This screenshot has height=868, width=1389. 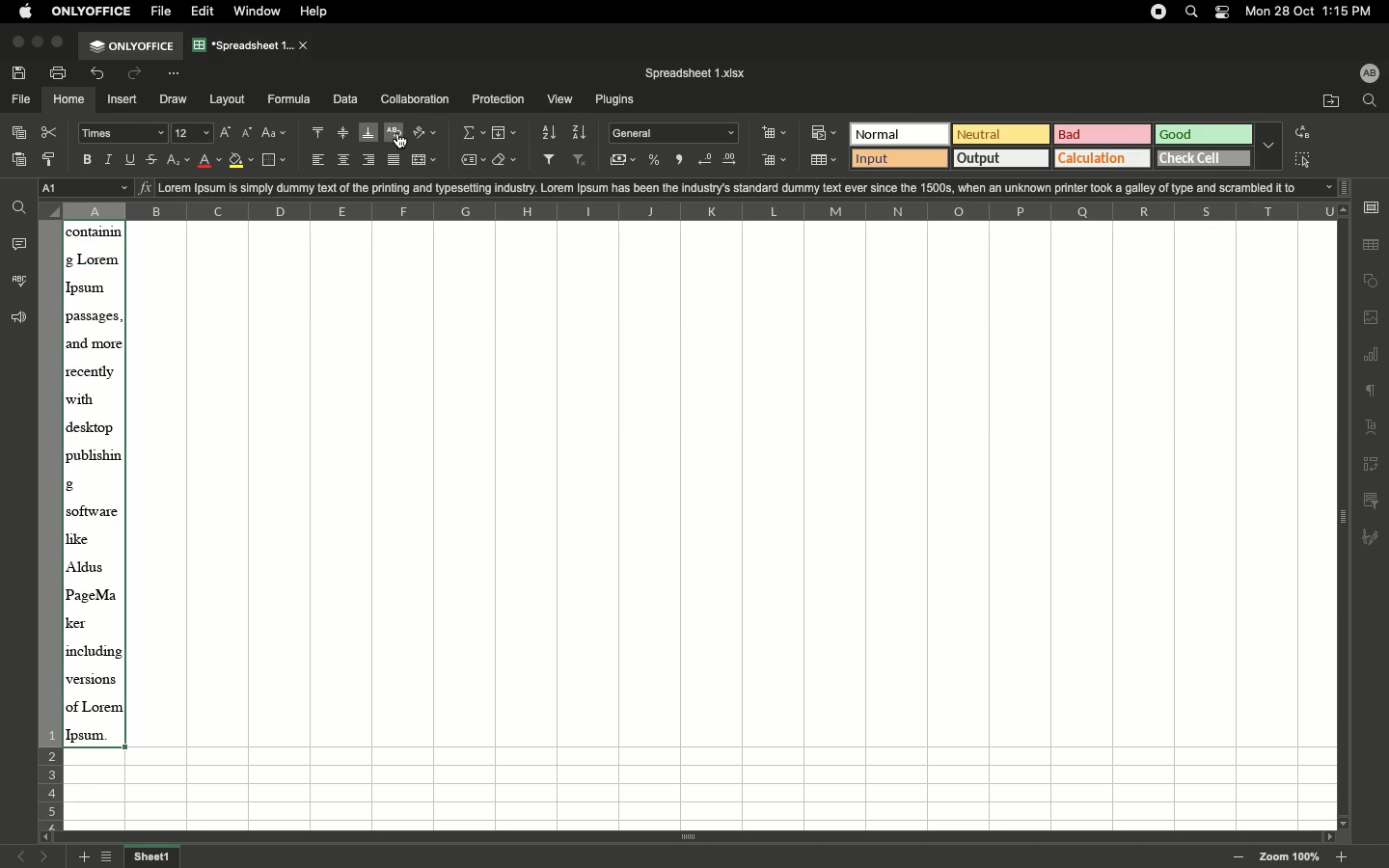 I want to click on Spreadsheet tab, so click(x=252, y=44).